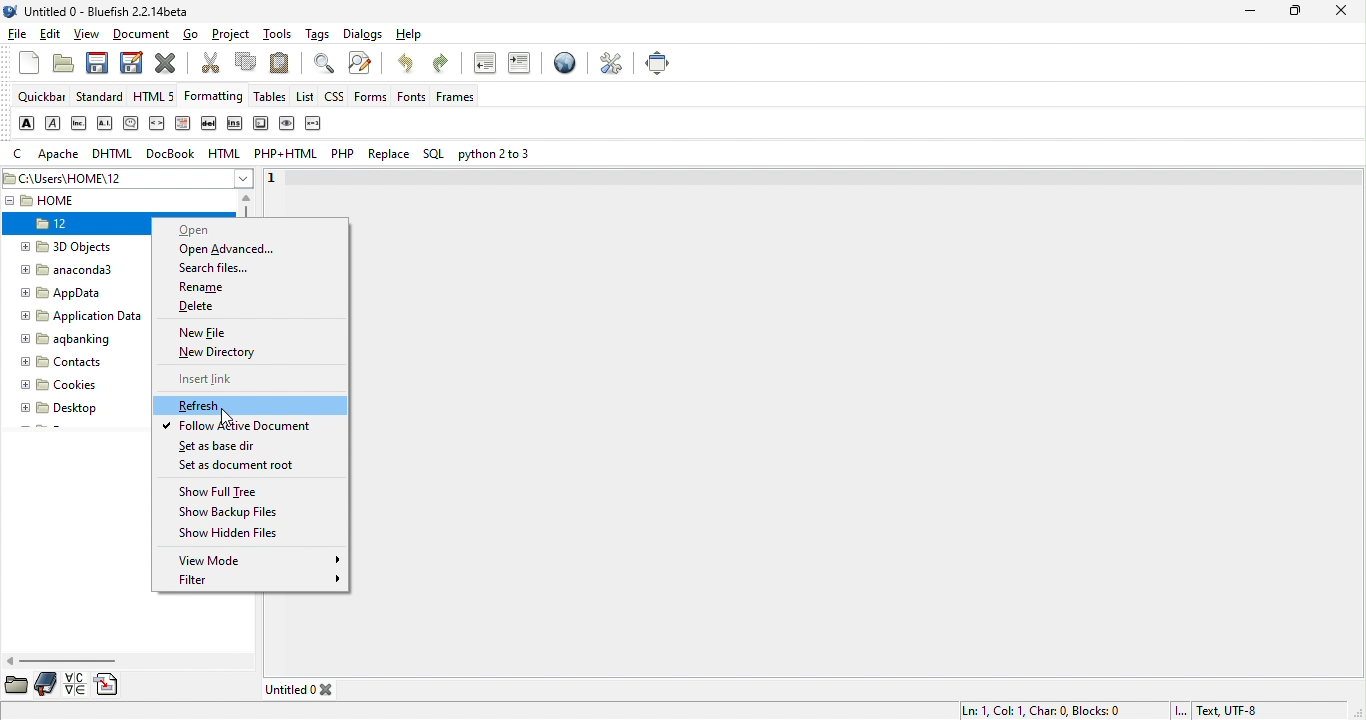  Describe the element at coordinates (414, 36) in the screenshot. I see `help` at that location.